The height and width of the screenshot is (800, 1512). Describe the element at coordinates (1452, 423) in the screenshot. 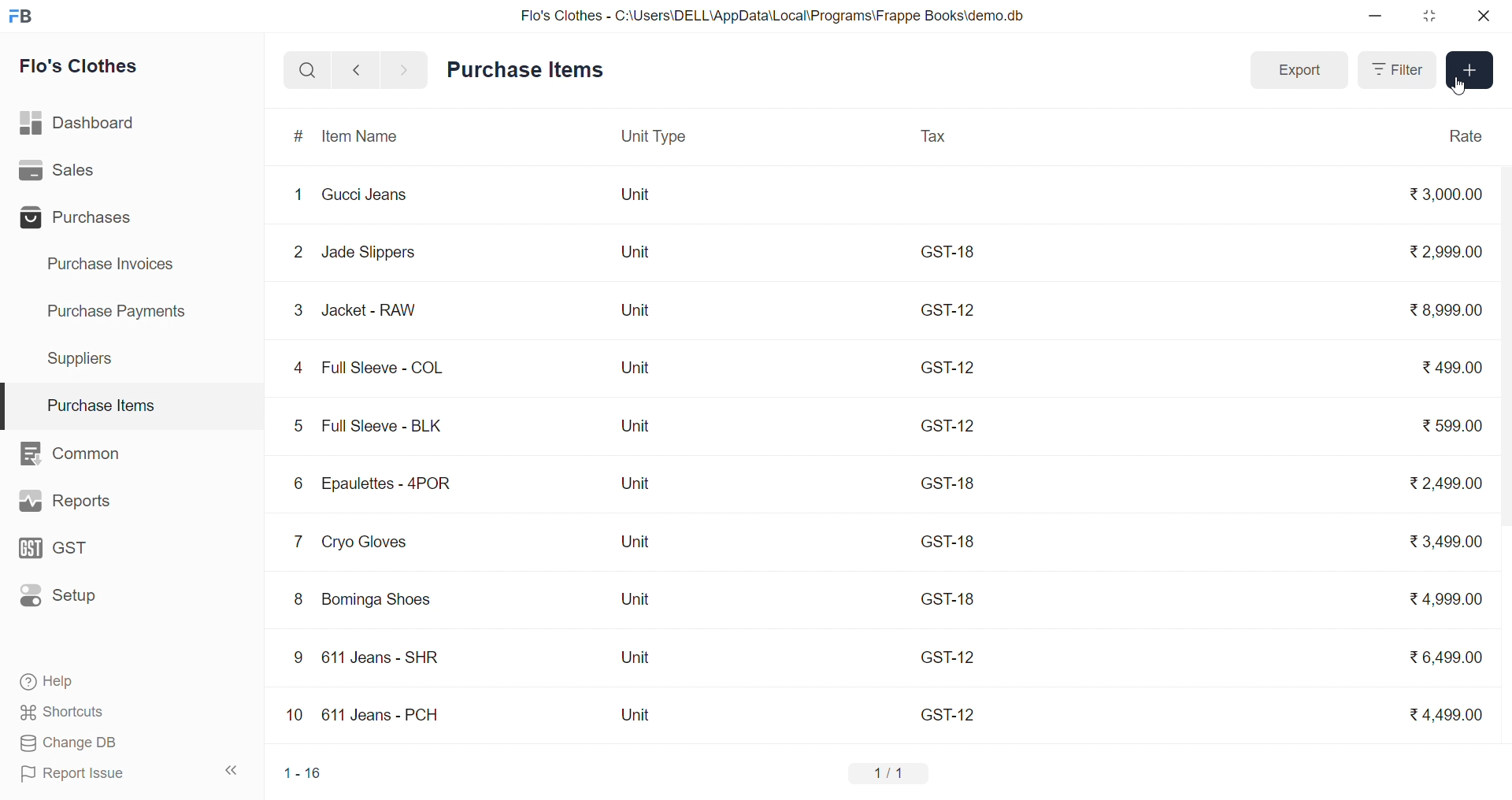

I see `₹599.00` at that location.